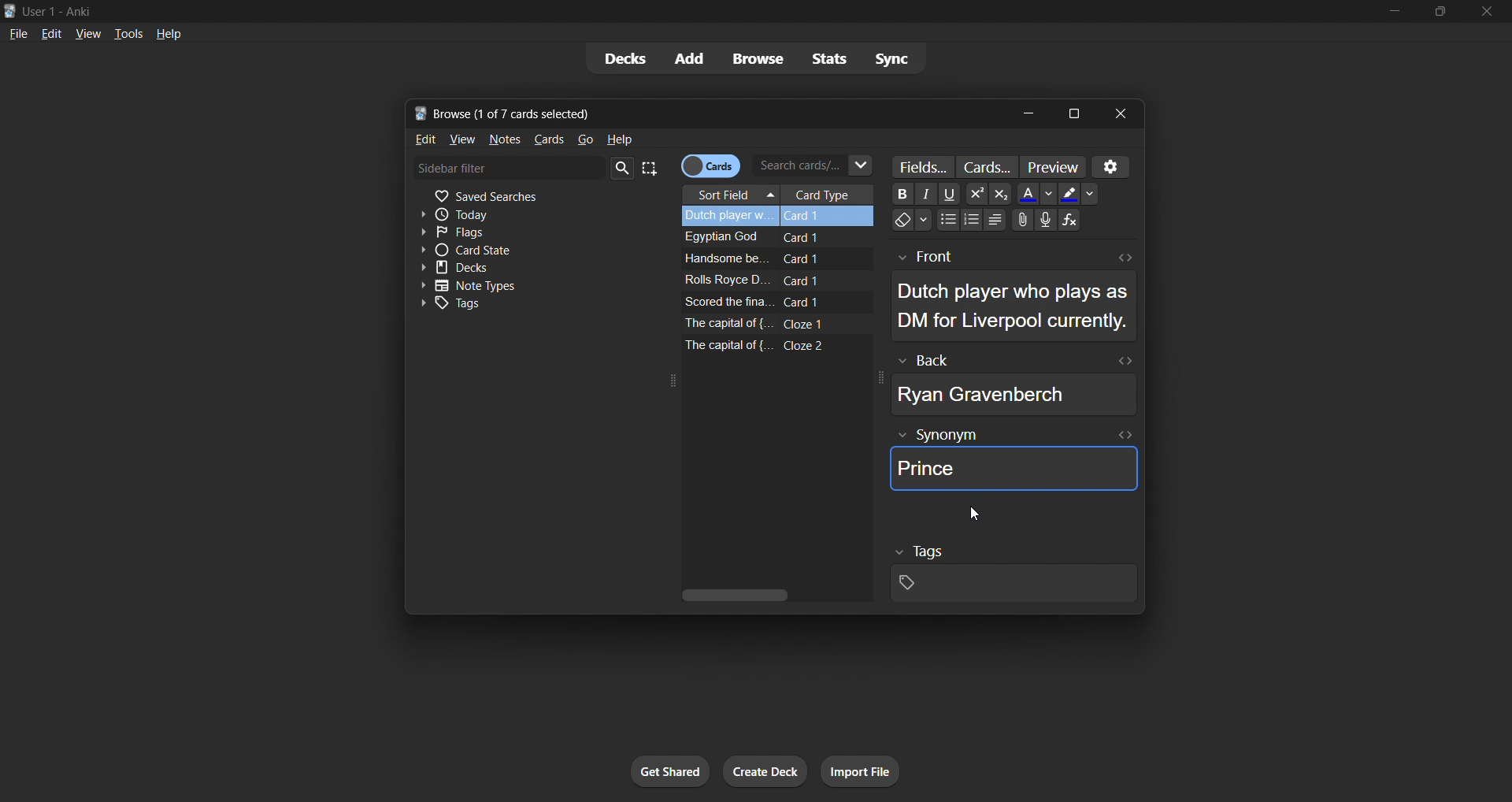  I want to click on selected card front data, so click(1011, 294).